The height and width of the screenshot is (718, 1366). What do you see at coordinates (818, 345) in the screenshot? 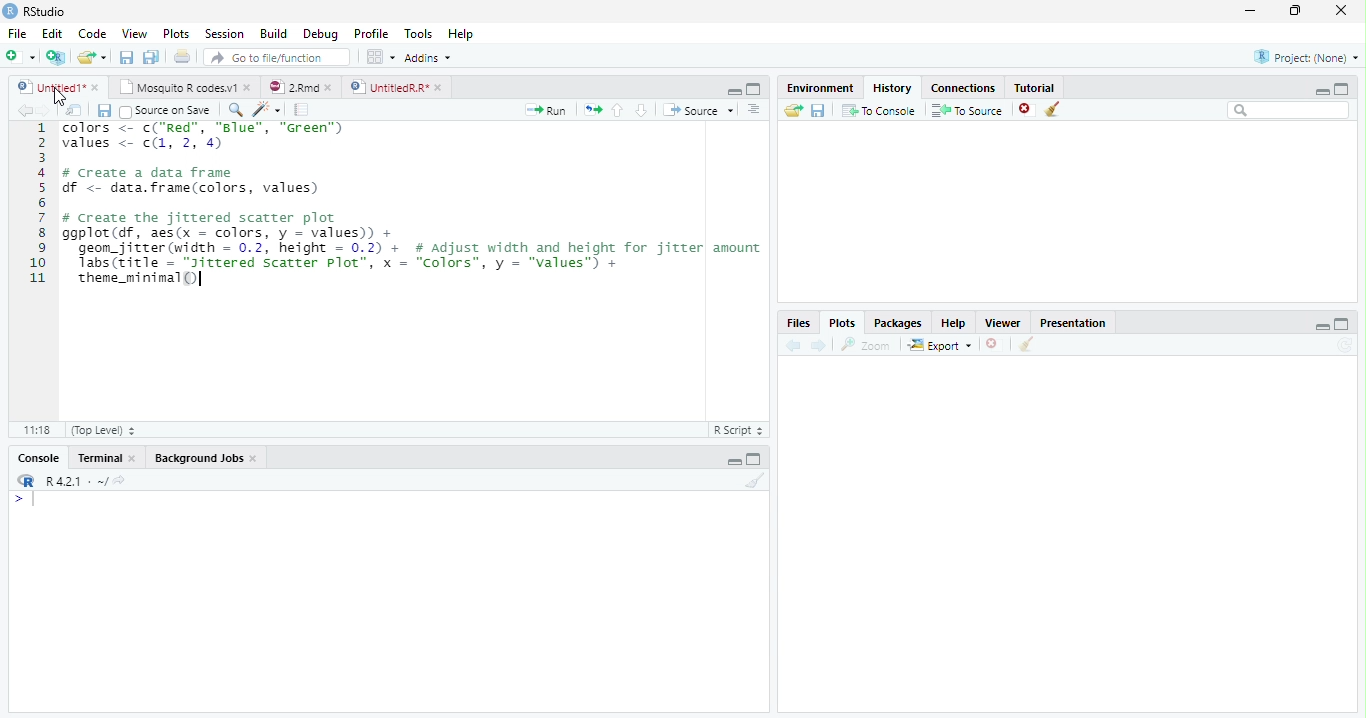
I see `Next plot` at bounding box center [818, 345].